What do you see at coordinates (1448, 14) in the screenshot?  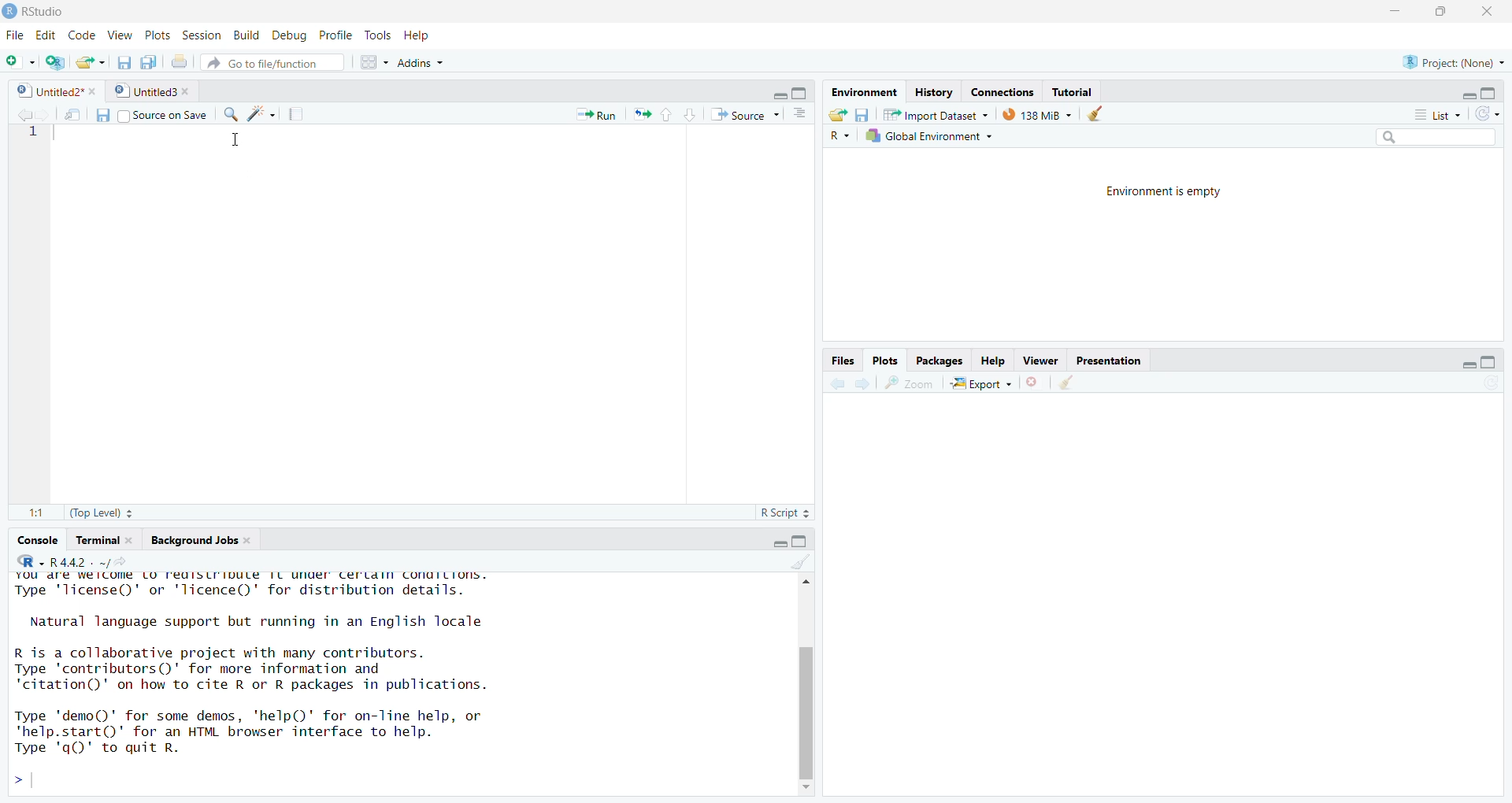 I see `maximize` at bounding box center [1448, 14].